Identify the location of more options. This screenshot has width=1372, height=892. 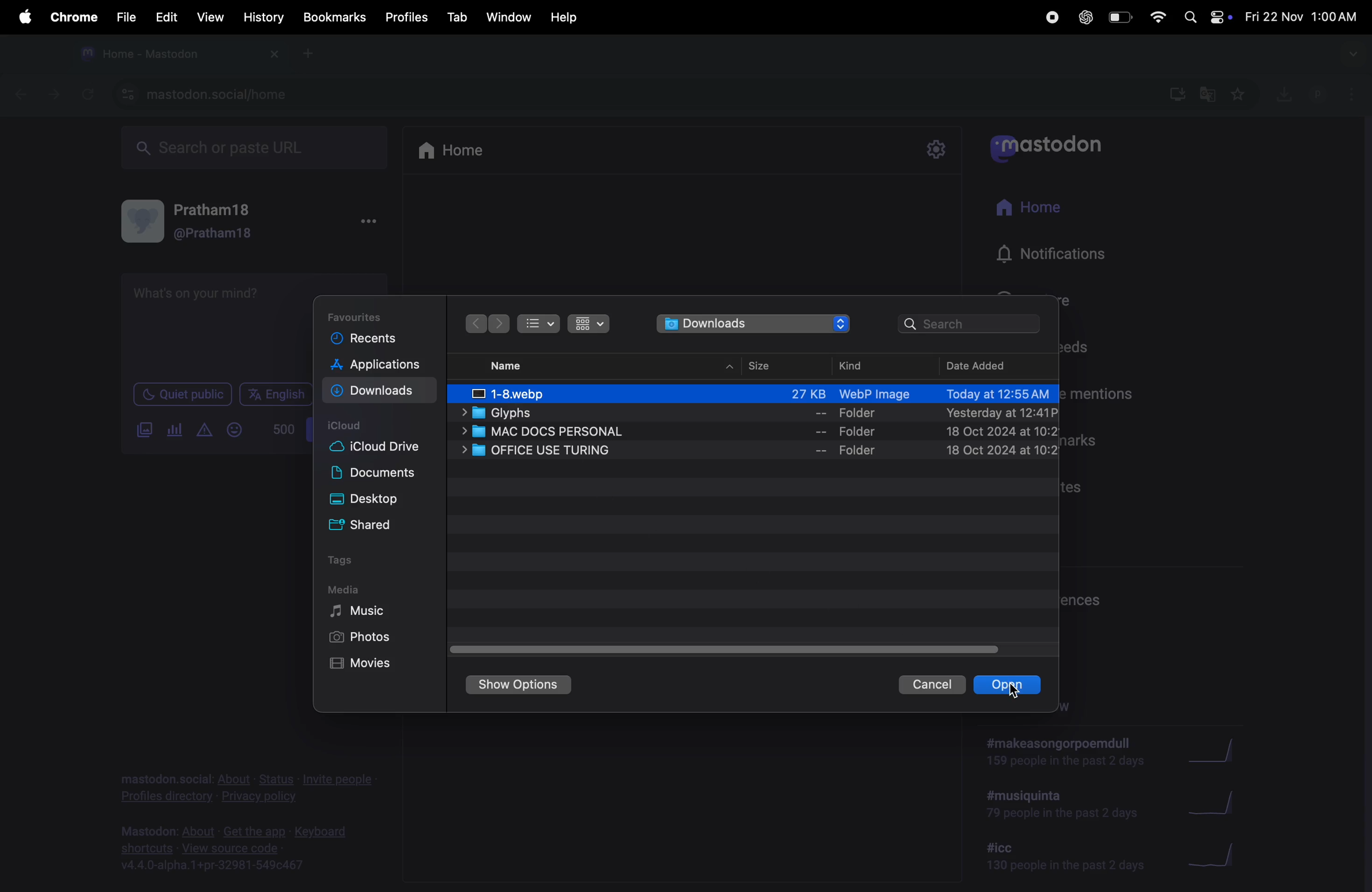
(368, 222).